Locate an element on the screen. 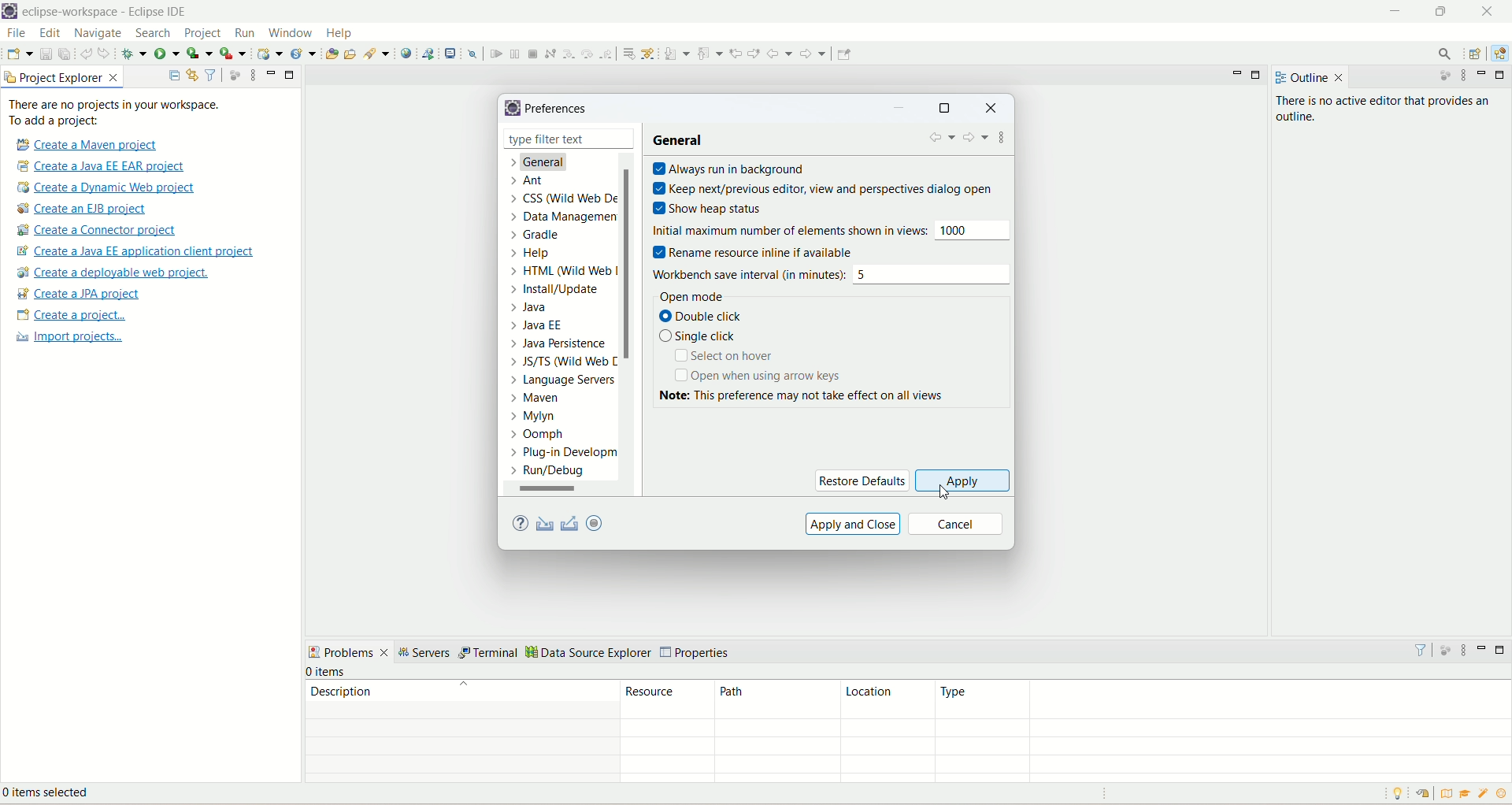 The width and height of the screenshot is (1512, 805). Java EE is located at coordinates (537, 325).